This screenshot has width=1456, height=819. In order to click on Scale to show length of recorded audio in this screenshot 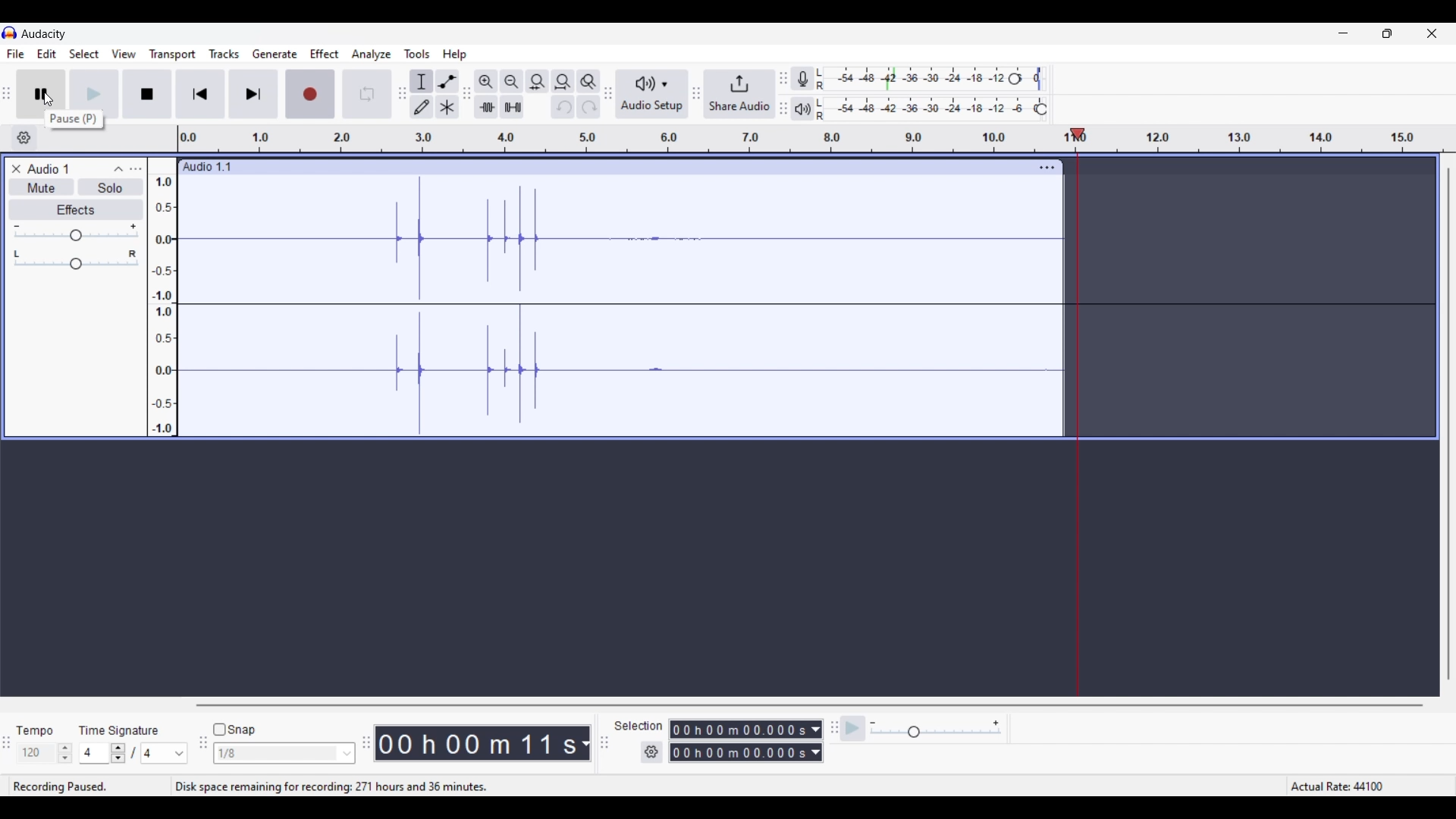, I will do `click(816, 138)`.